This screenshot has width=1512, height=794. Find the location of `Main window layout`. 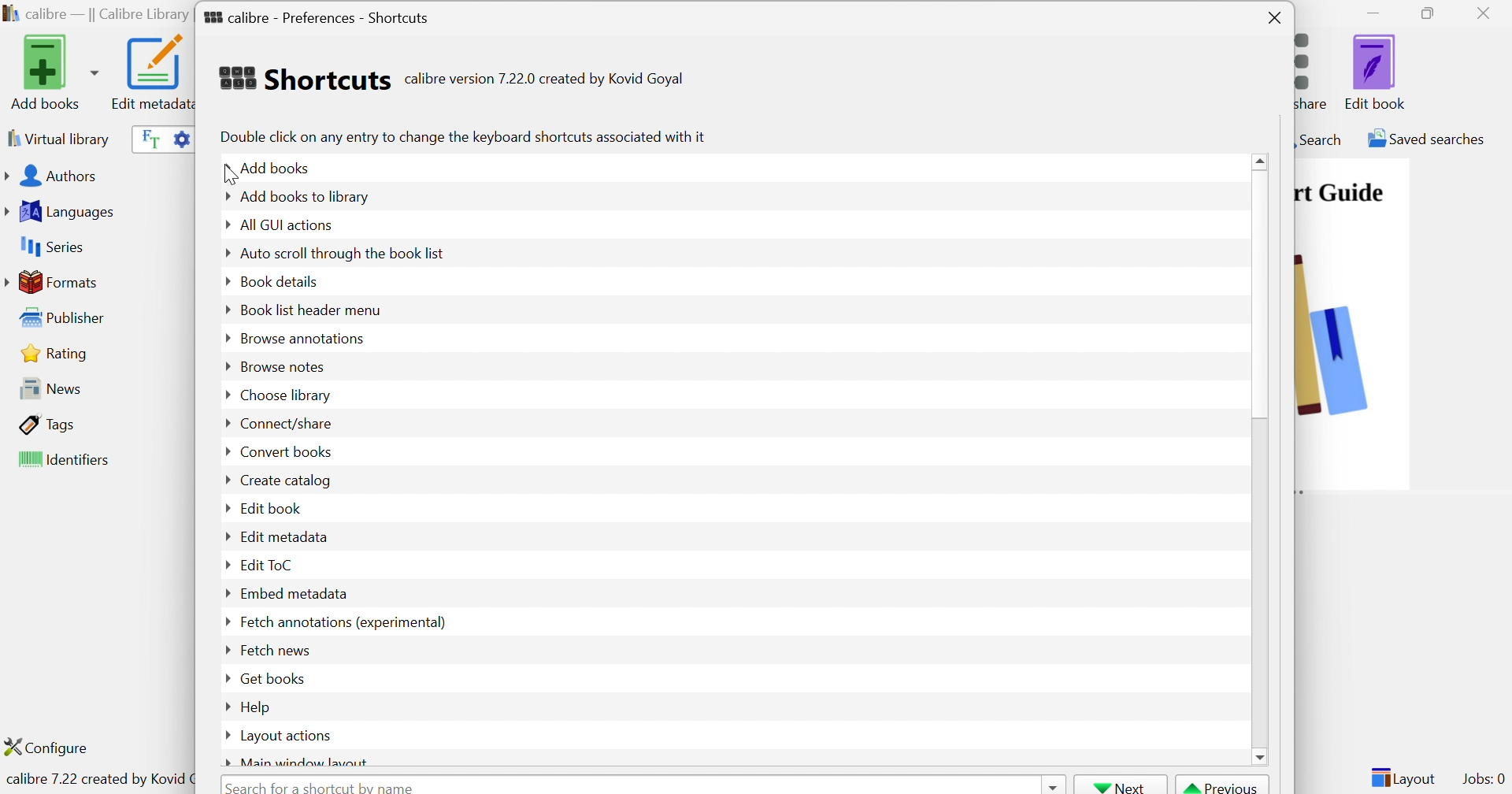

Main window layout is located at coordinates (306, 761).